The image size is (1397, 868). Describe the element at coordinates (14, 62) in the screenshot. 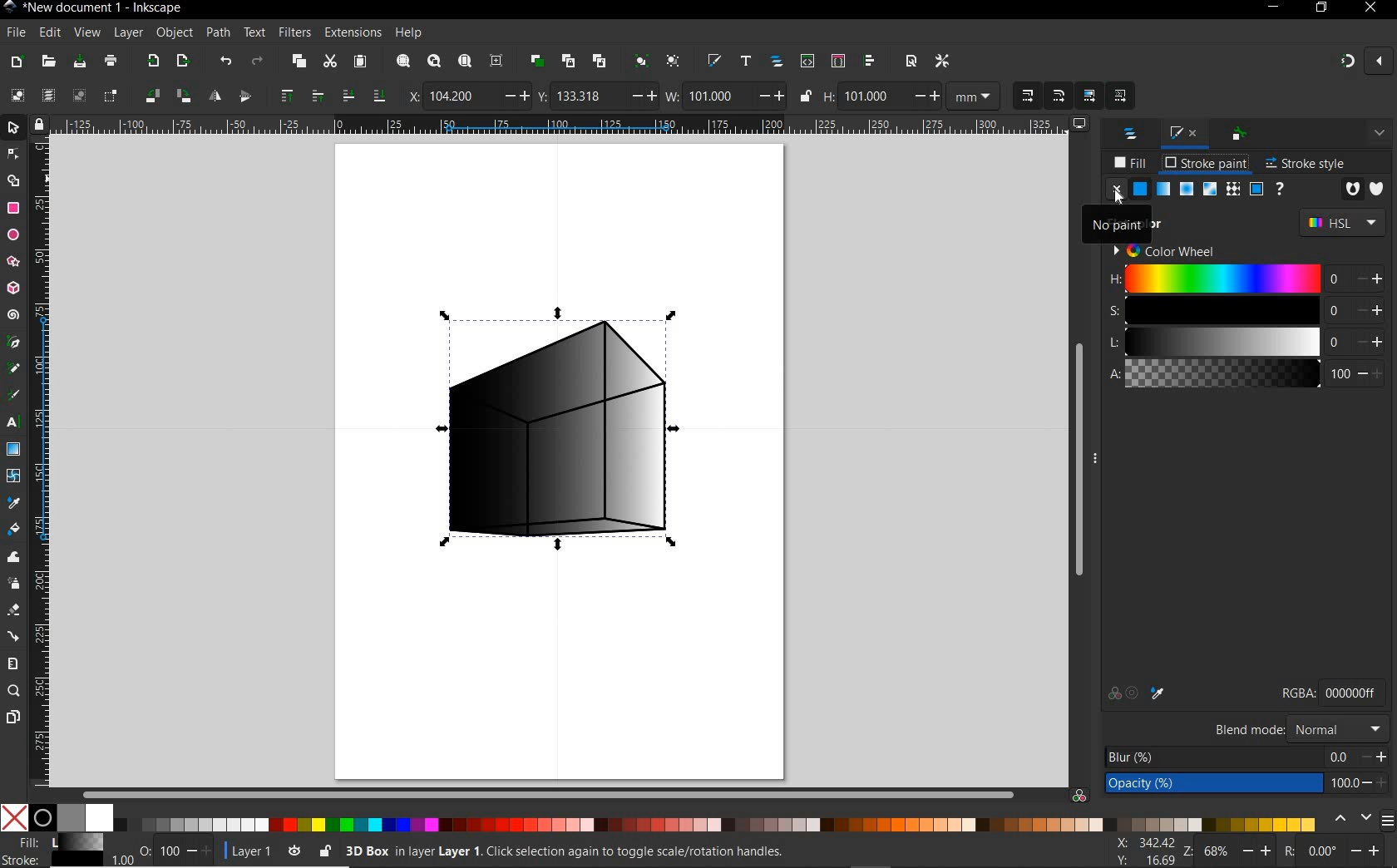

I see `NEW` at that location.